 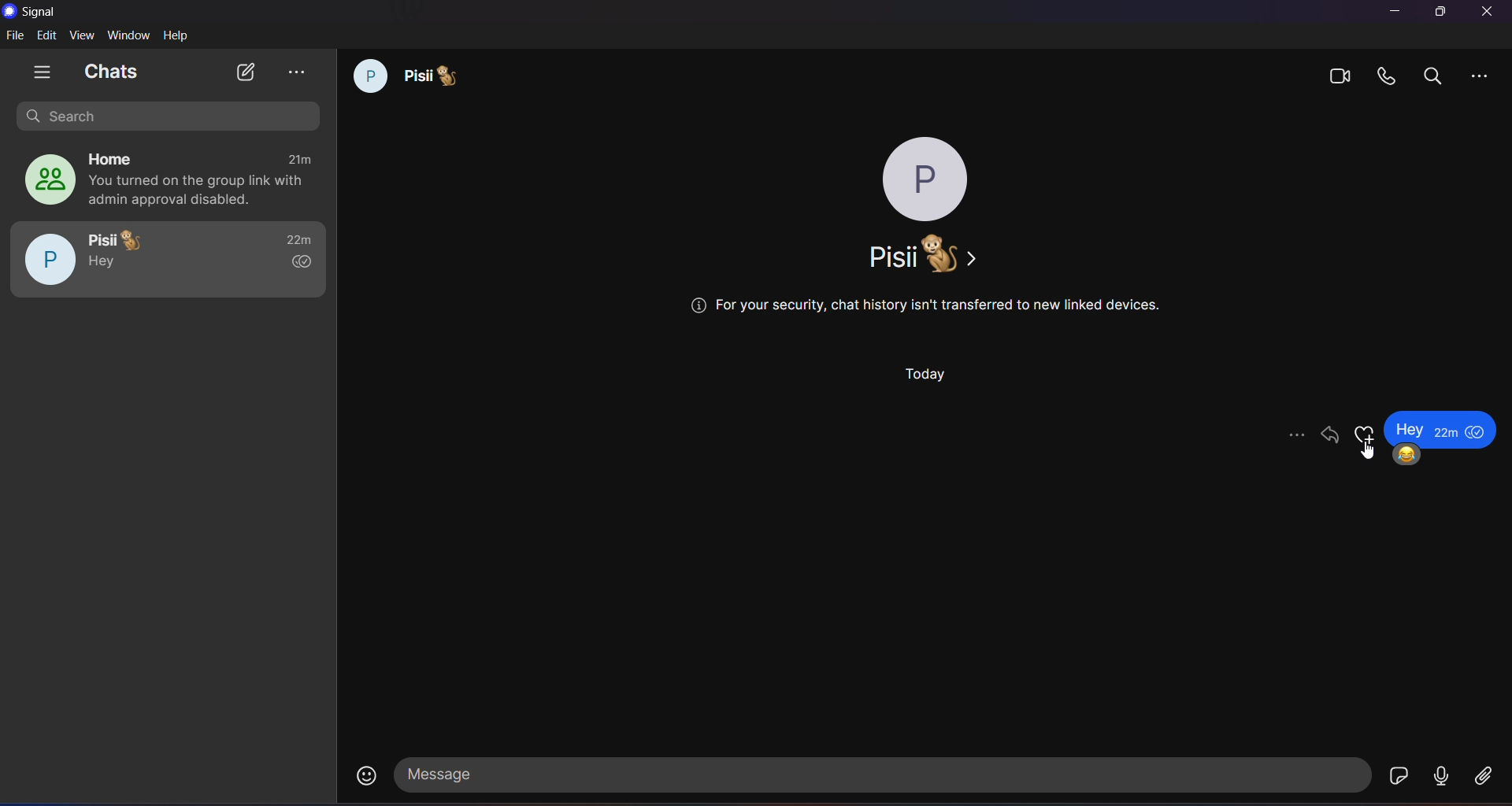 What do you see at coordinates (1438, 427) in the screenshot?
I see `message` at bounding box center [1438, 427].